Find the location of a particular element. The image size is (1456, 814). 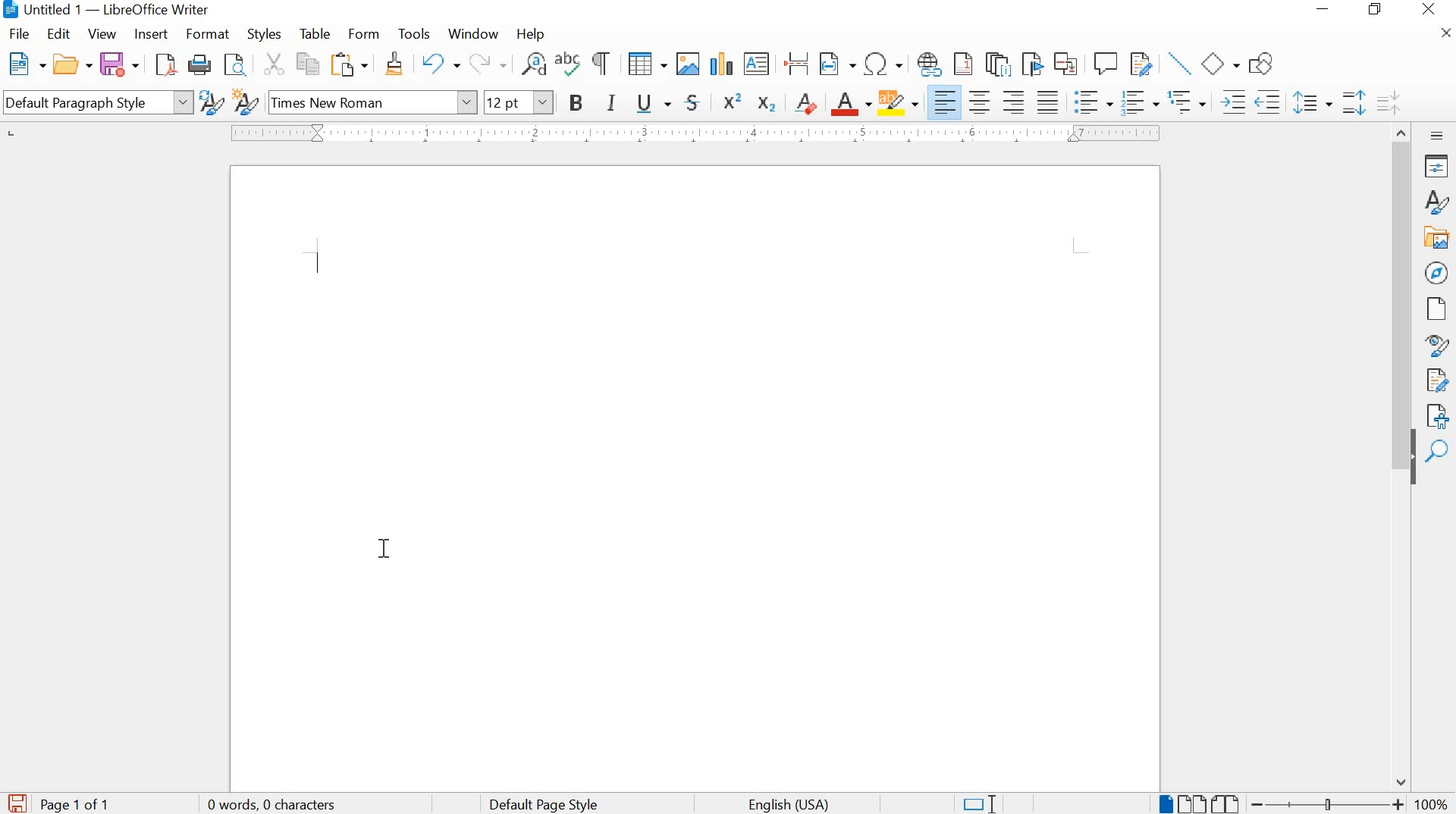

SPELLING CHECK is located at coordinates (569, 64).